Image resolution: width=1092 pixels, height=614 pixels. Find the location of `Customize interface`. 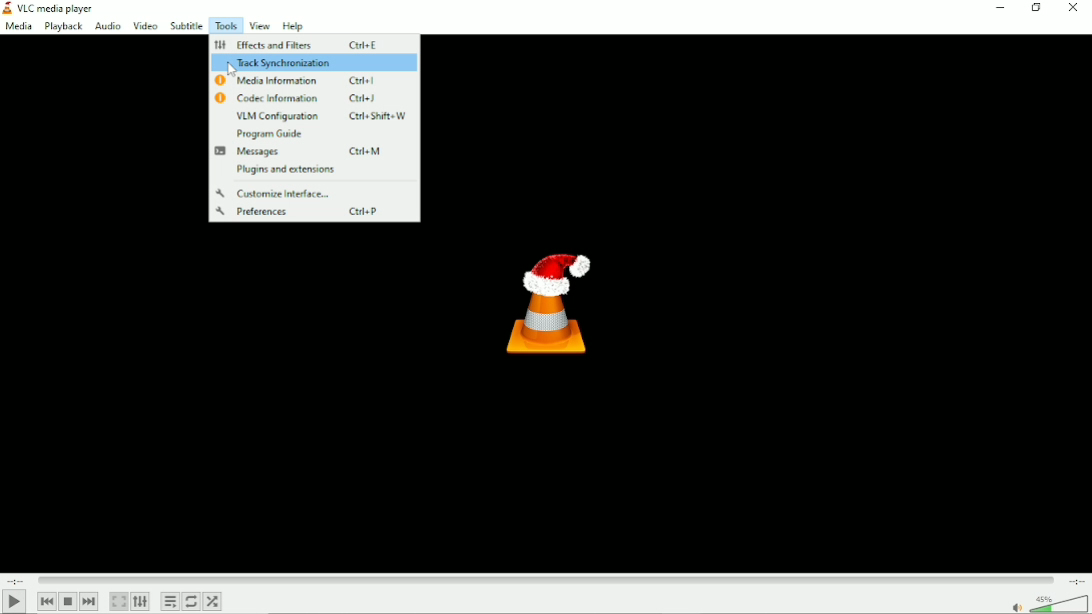

Customize interface is located at coordinates (278, 192).